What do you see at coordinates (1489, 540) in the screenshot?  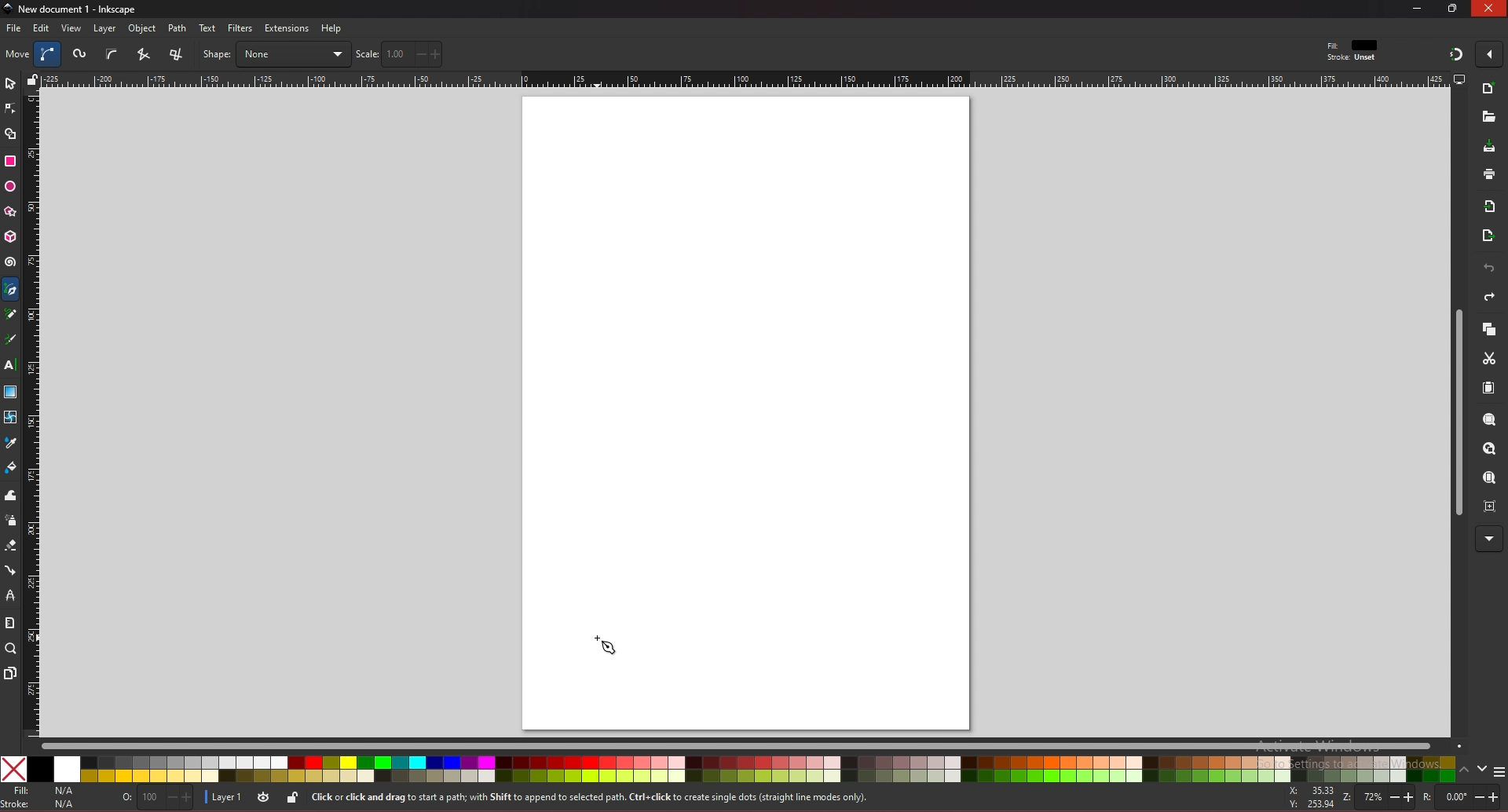 I see `more` at bounding box center [1489, 540].